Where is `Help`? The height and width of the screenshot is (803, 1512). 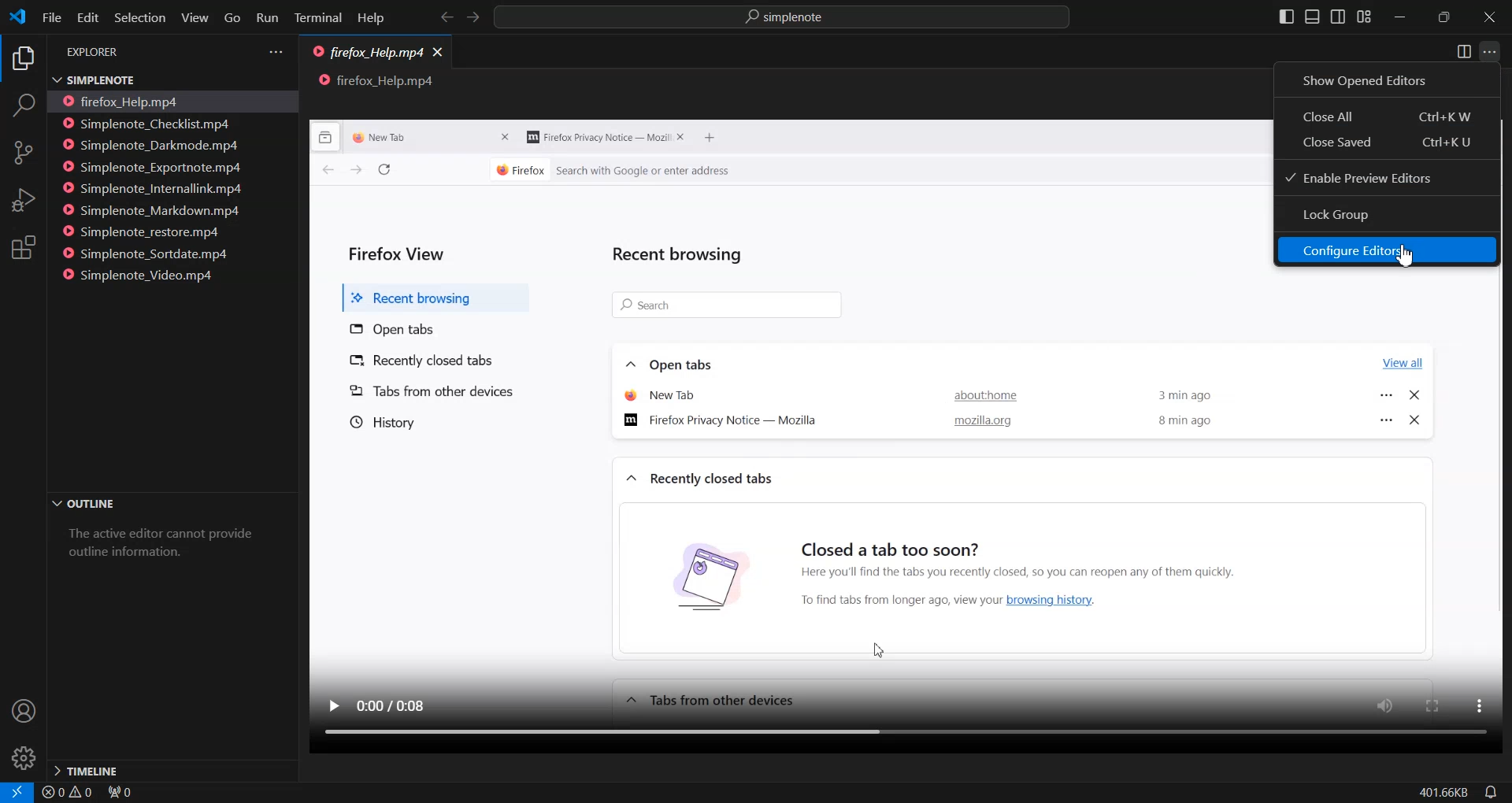 Help is located at coordinates (370, 19).